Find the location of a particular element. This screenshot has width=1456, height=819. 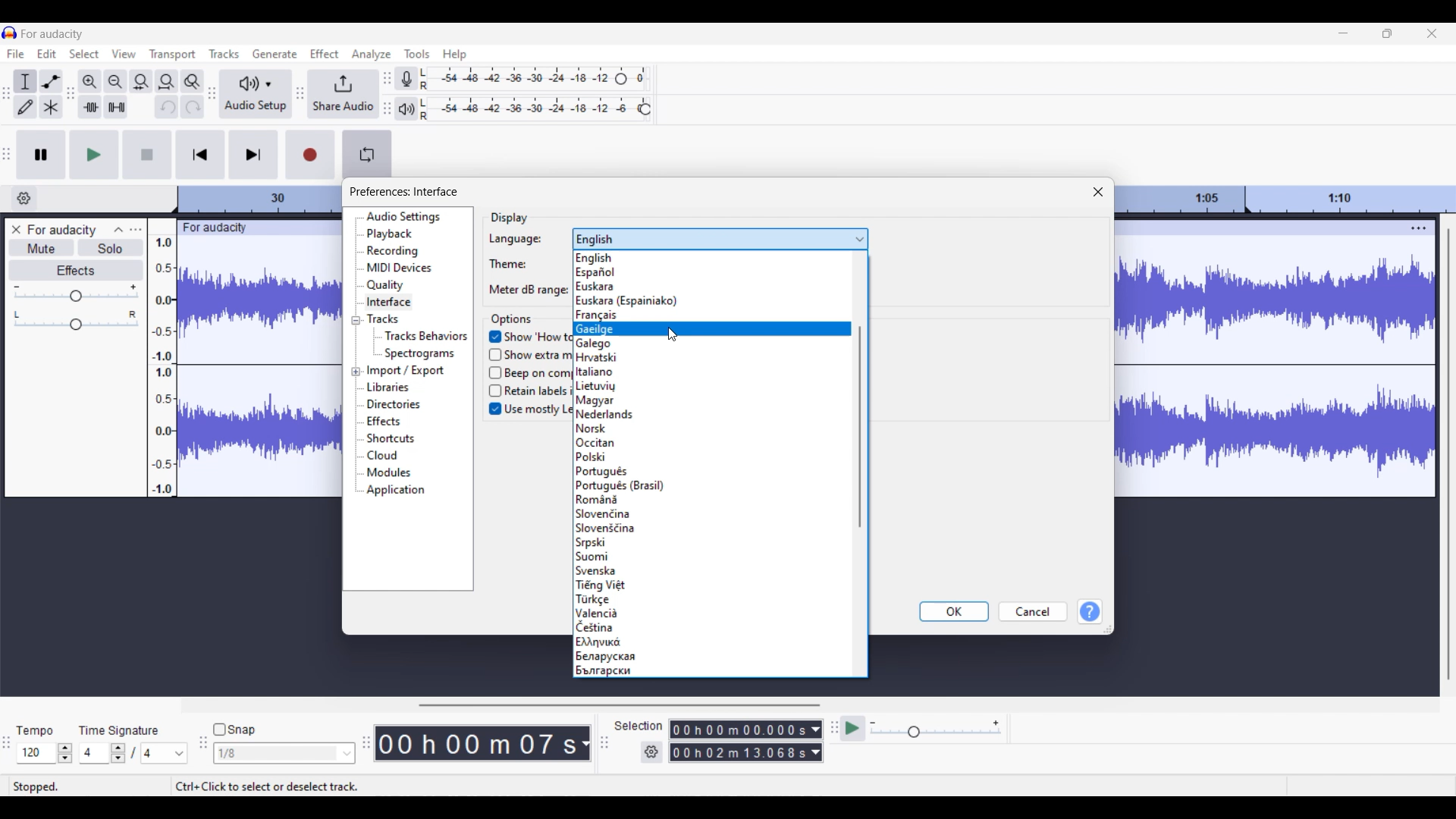

Euskara is located at coordinates (599, 287).